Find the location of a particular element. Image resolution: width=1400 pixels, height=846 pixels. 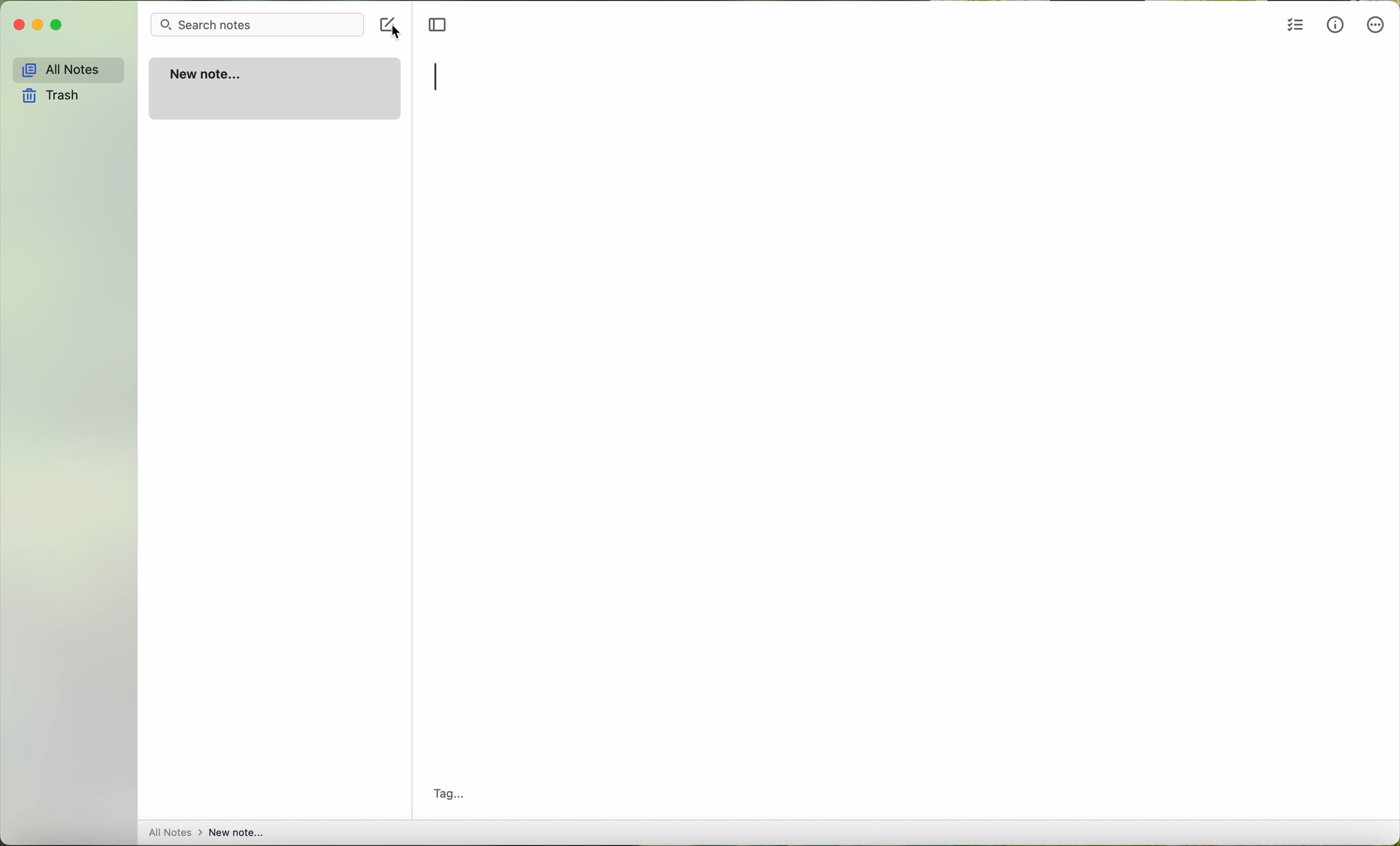

all notes is located at coordinates (67, 69).